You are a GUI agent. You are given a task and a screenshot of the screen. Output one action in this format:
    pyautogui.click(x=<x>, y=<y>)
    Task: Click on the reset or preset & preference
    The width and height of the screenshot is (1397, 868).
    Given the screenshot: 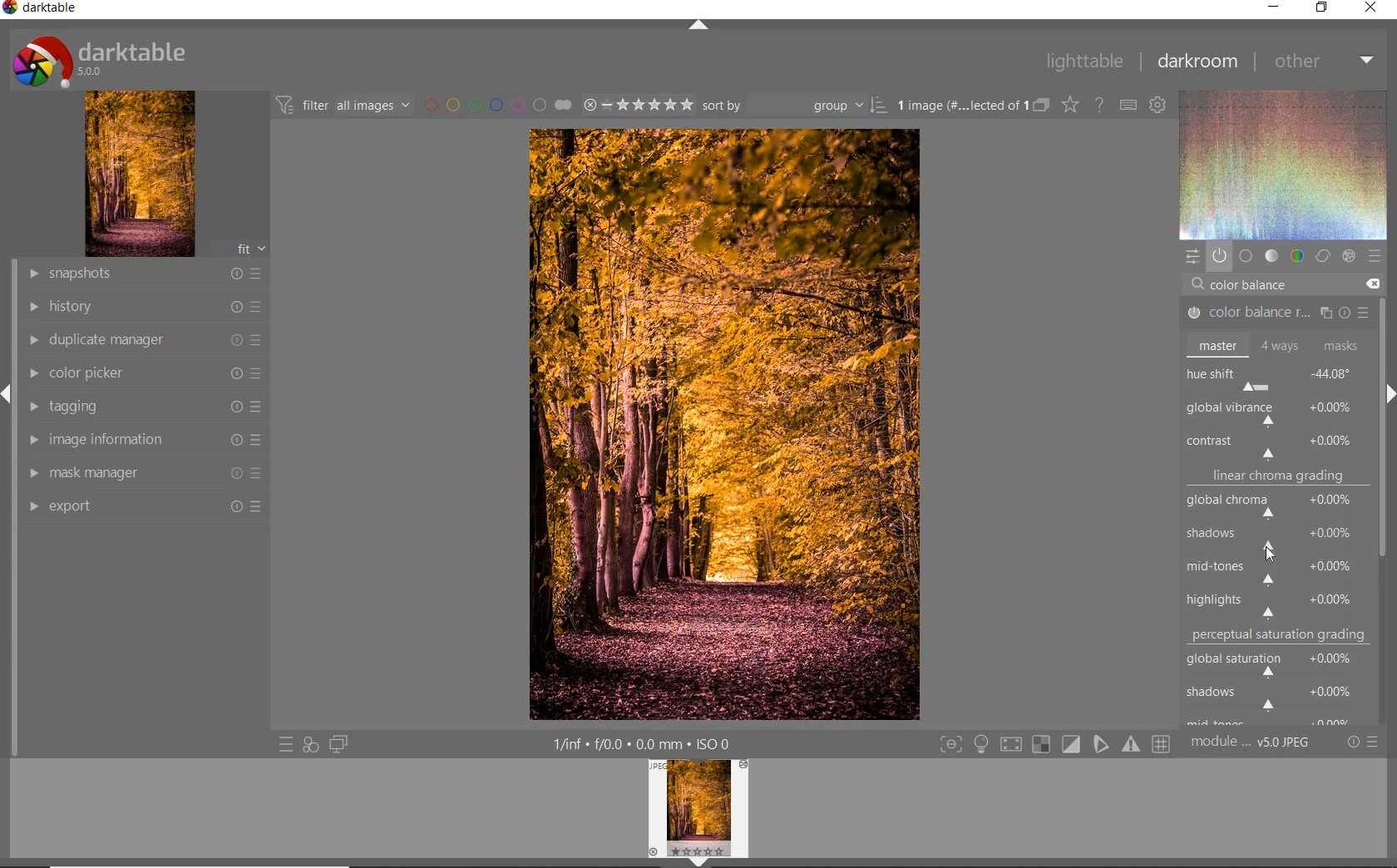 What is the action you would take?
    pyautogui.click(x=1361, y=742)
    